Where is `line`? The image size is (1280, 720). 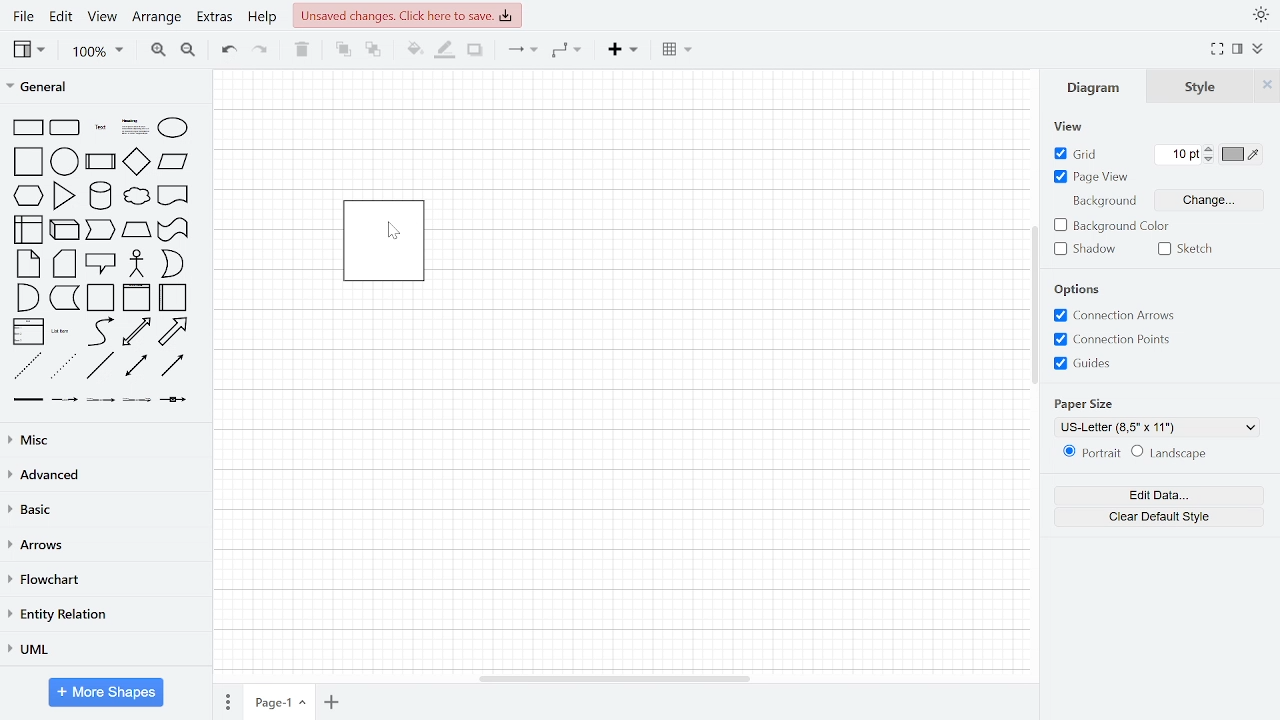
line is located at coordinates (100, 366).